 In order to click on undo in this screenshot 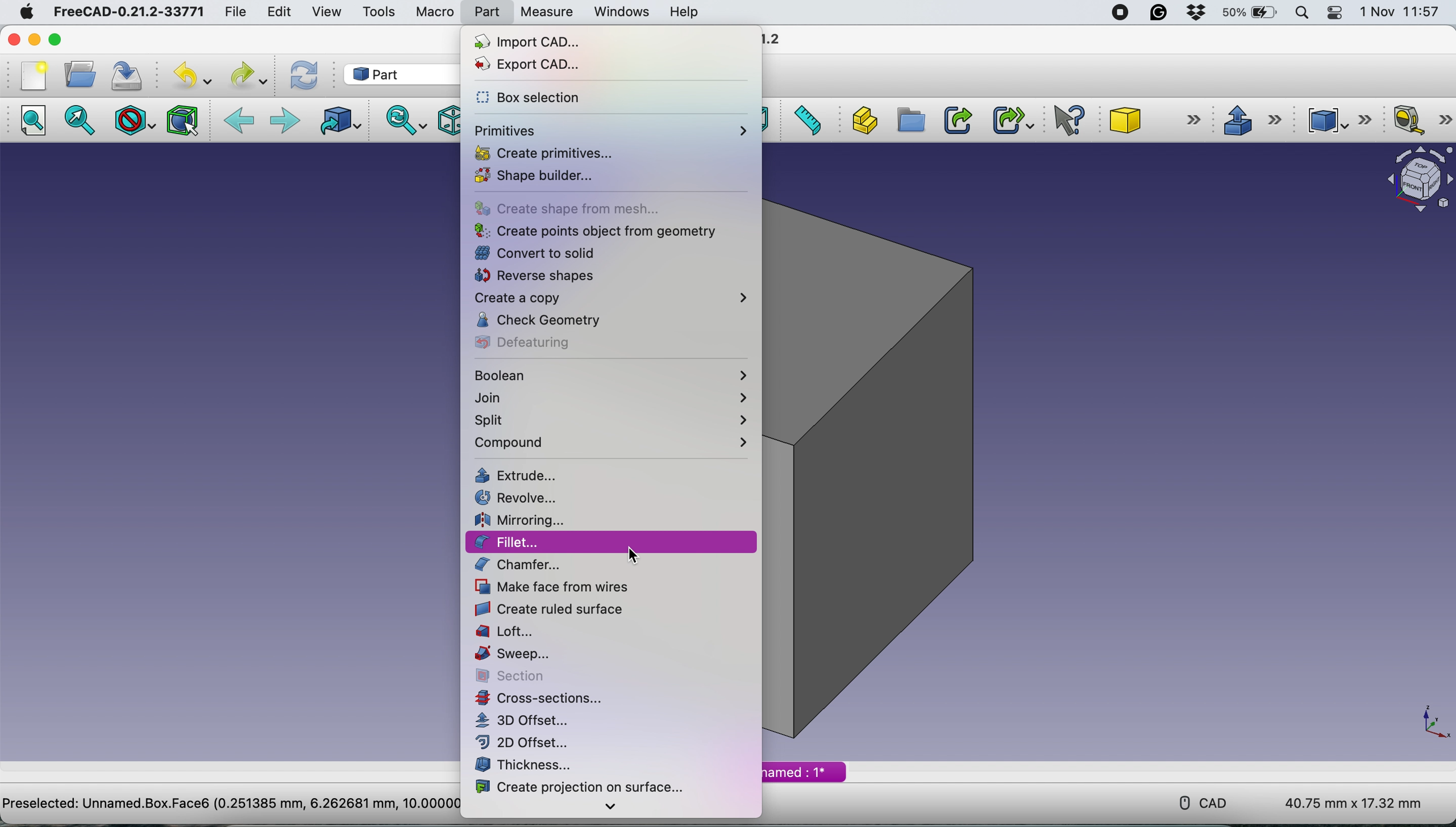, I will do `click(192, 75)`.